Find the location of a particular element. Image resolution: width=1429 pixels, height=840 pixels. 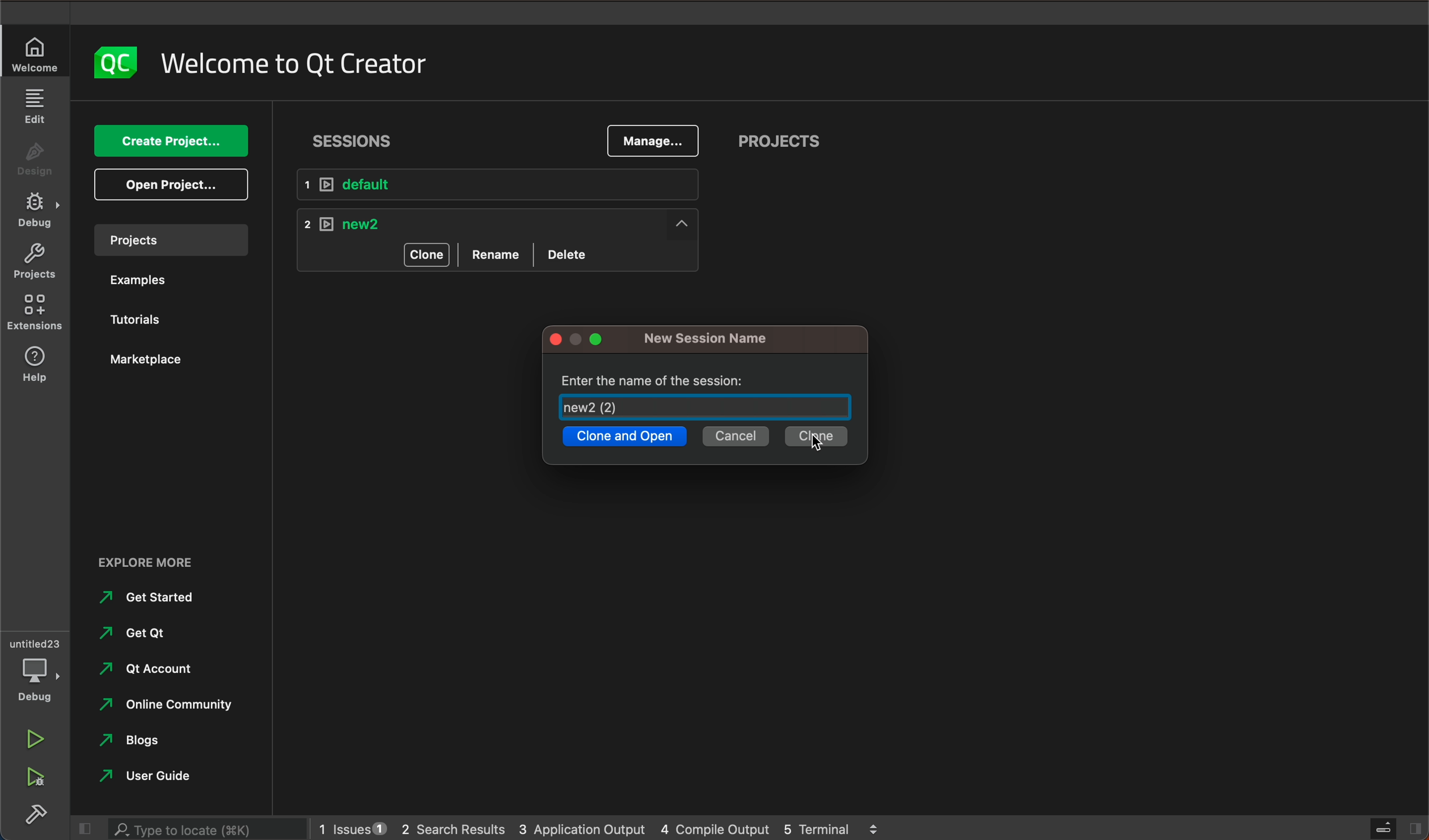

search results is located at coordinates (453, 826).